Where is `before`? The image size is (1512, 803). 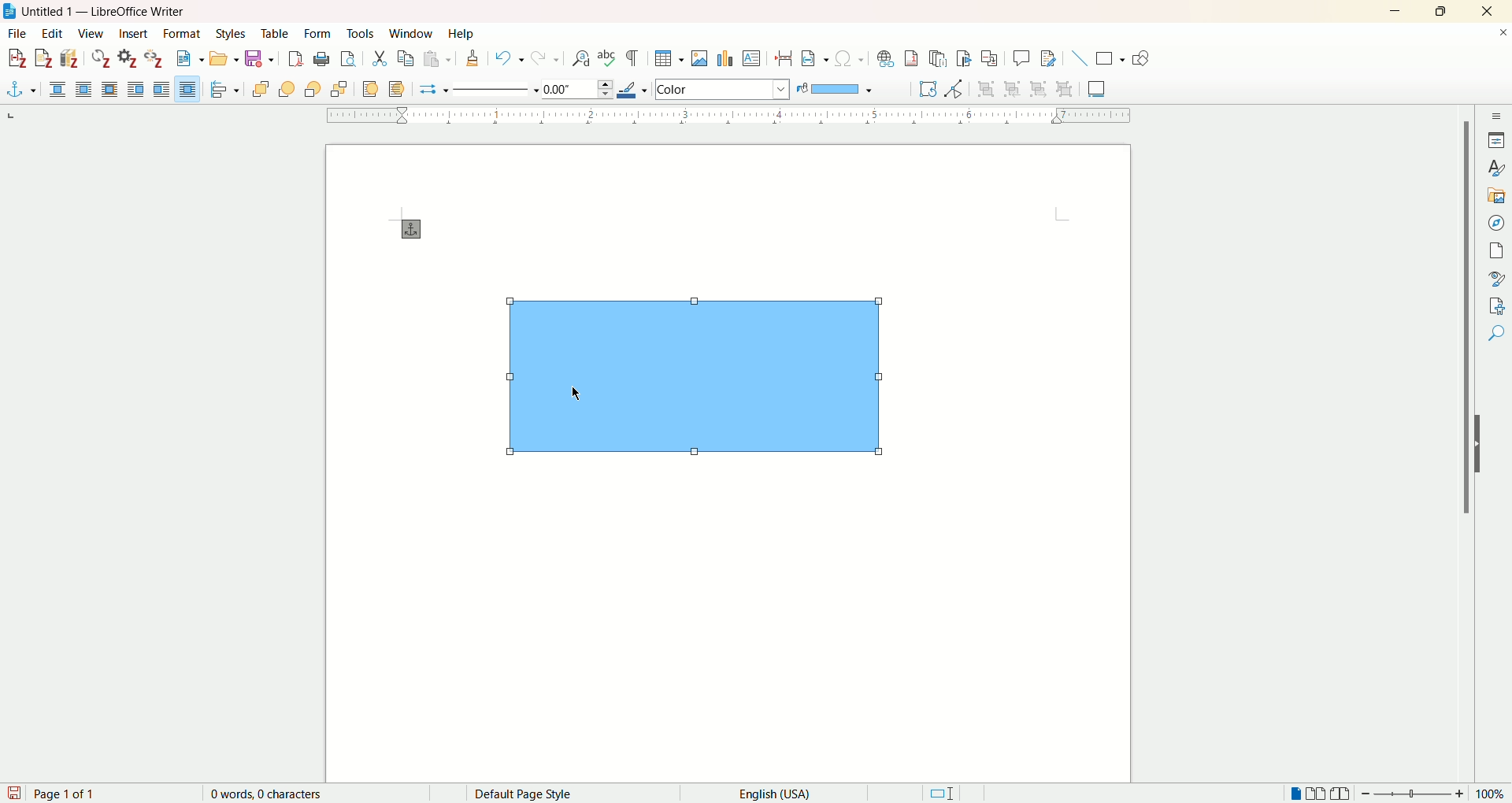
before is located at coordinates (137, 90).